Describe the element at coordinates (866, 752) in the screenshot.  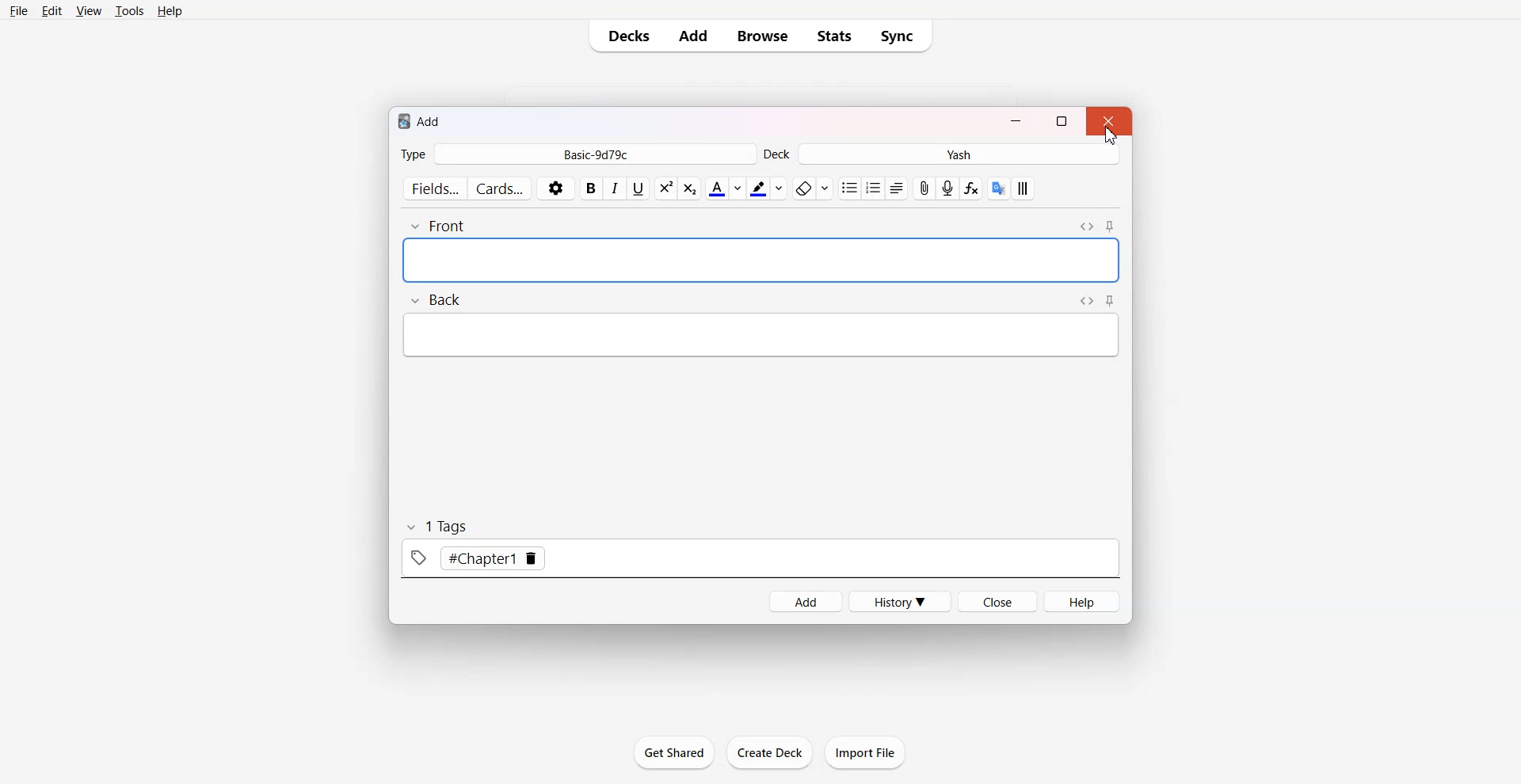
I see `Import File` at that location.